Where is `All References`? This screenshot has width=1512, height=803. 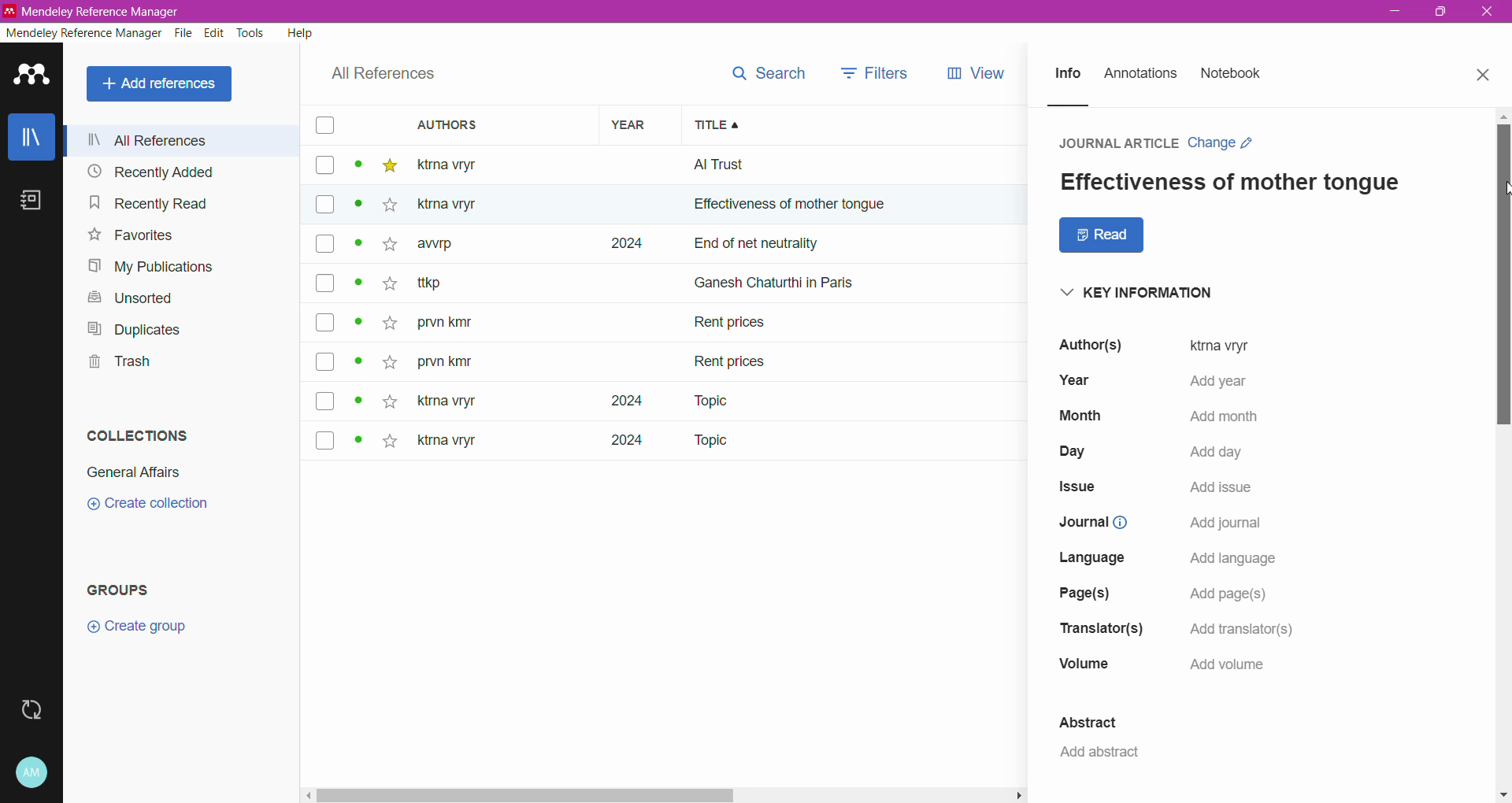 All References is located at coordinates (384, 74).